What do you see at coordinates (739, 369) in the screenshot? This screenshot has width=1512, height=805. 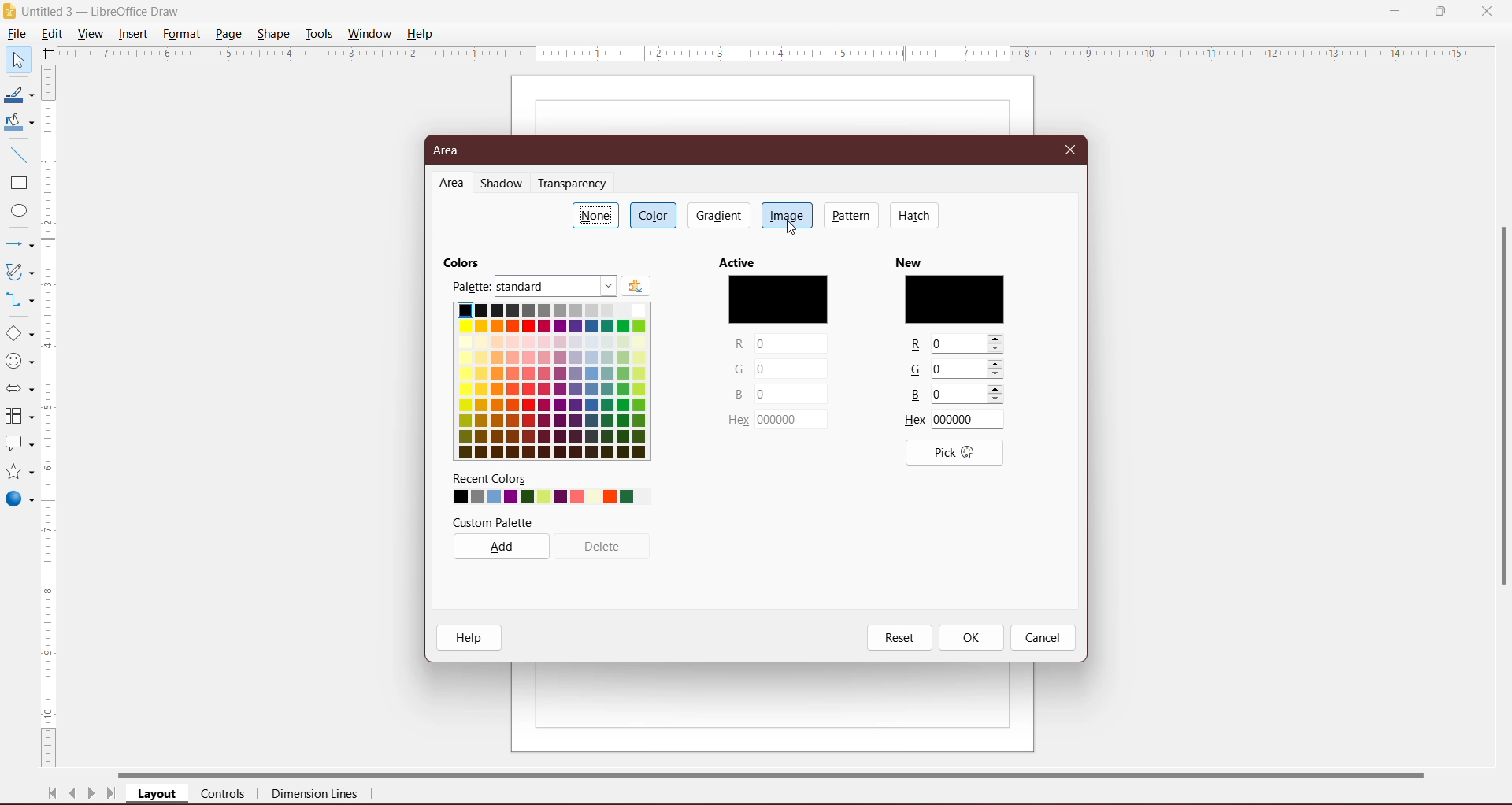 I see `G` at bounding box center [739, 369].